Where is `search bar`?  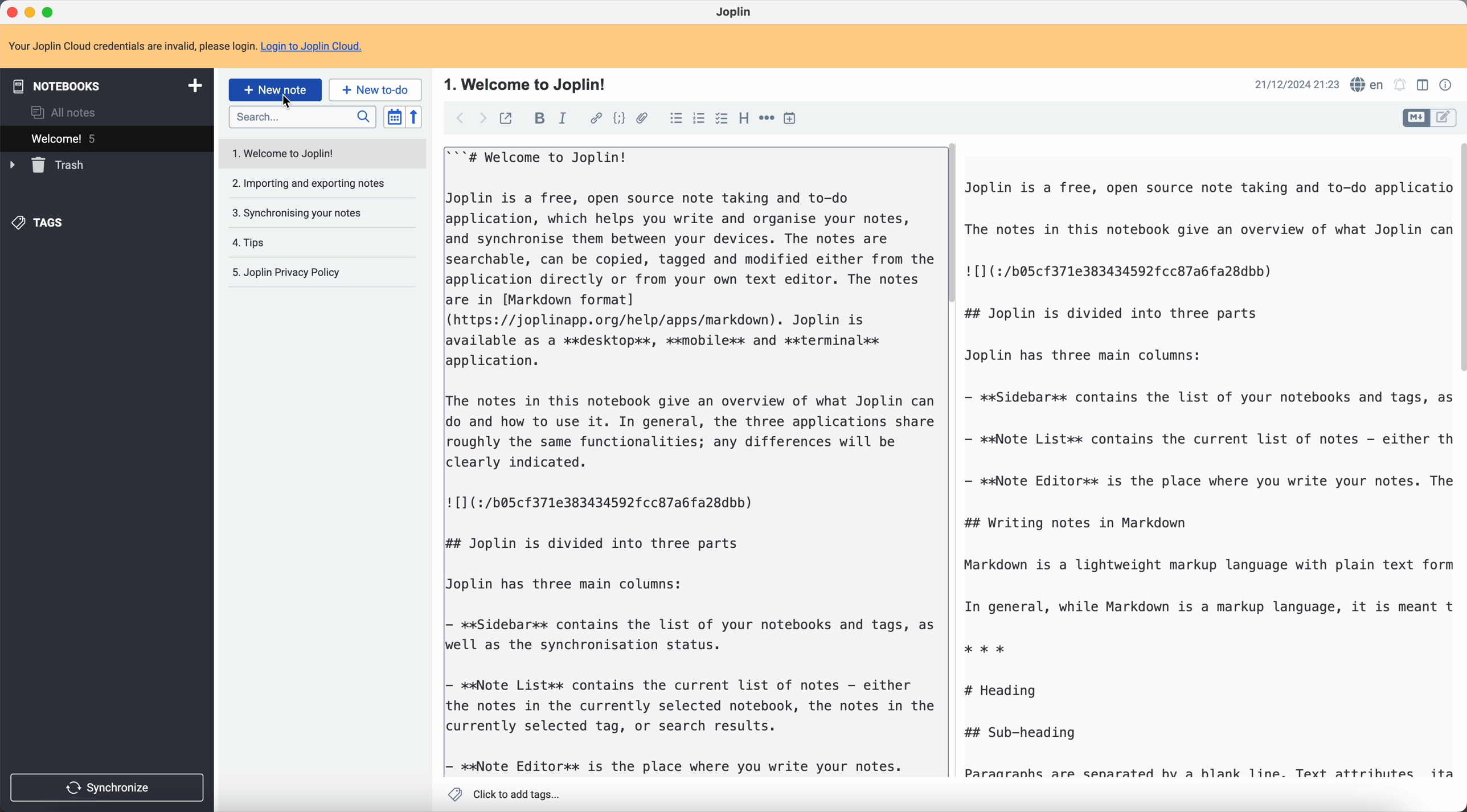
search bar is located at coordinates (301, 118).